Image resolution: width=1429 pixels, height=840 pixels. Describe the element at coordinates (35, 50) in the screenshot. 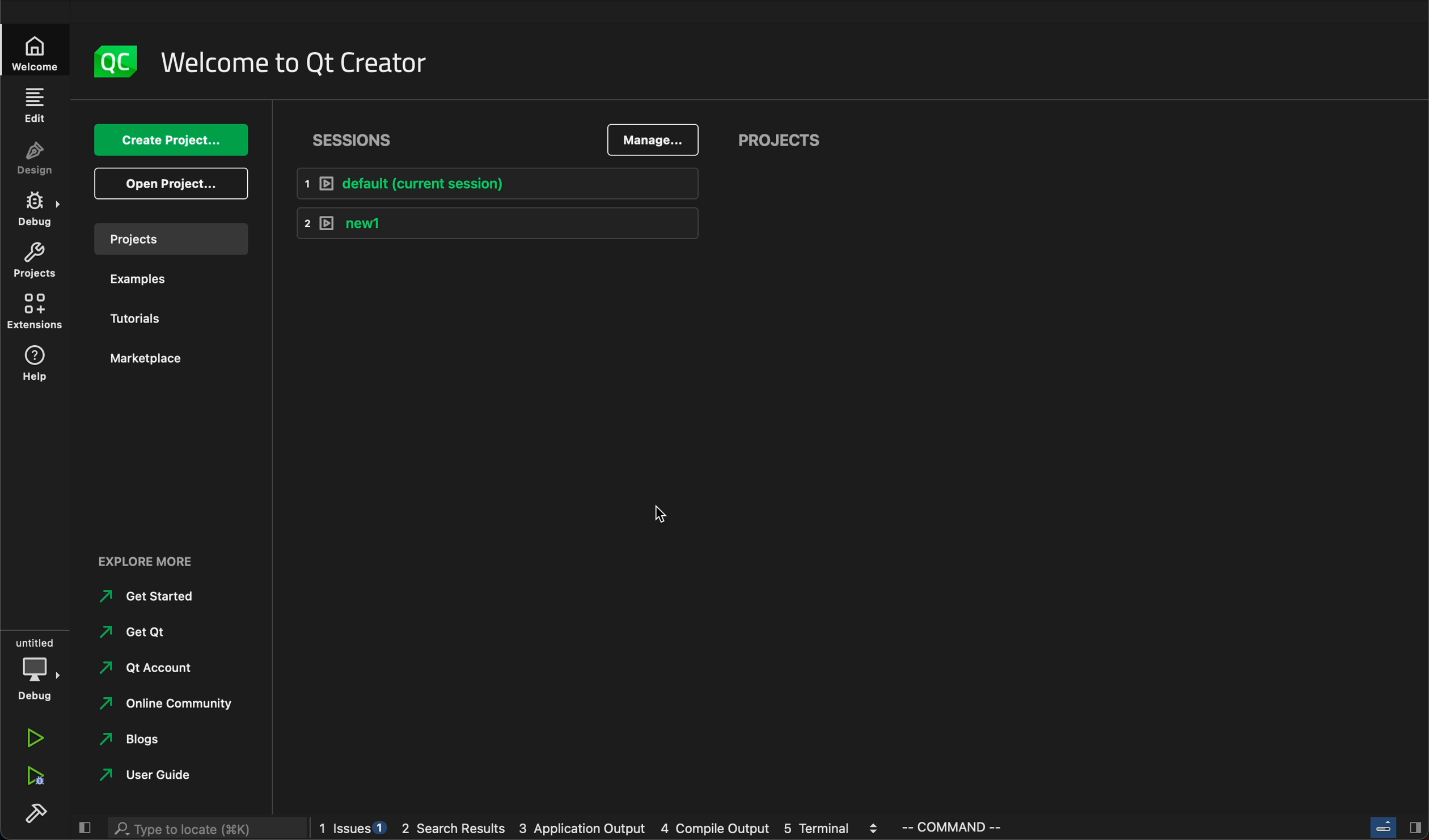

I see `welcome` at that location.